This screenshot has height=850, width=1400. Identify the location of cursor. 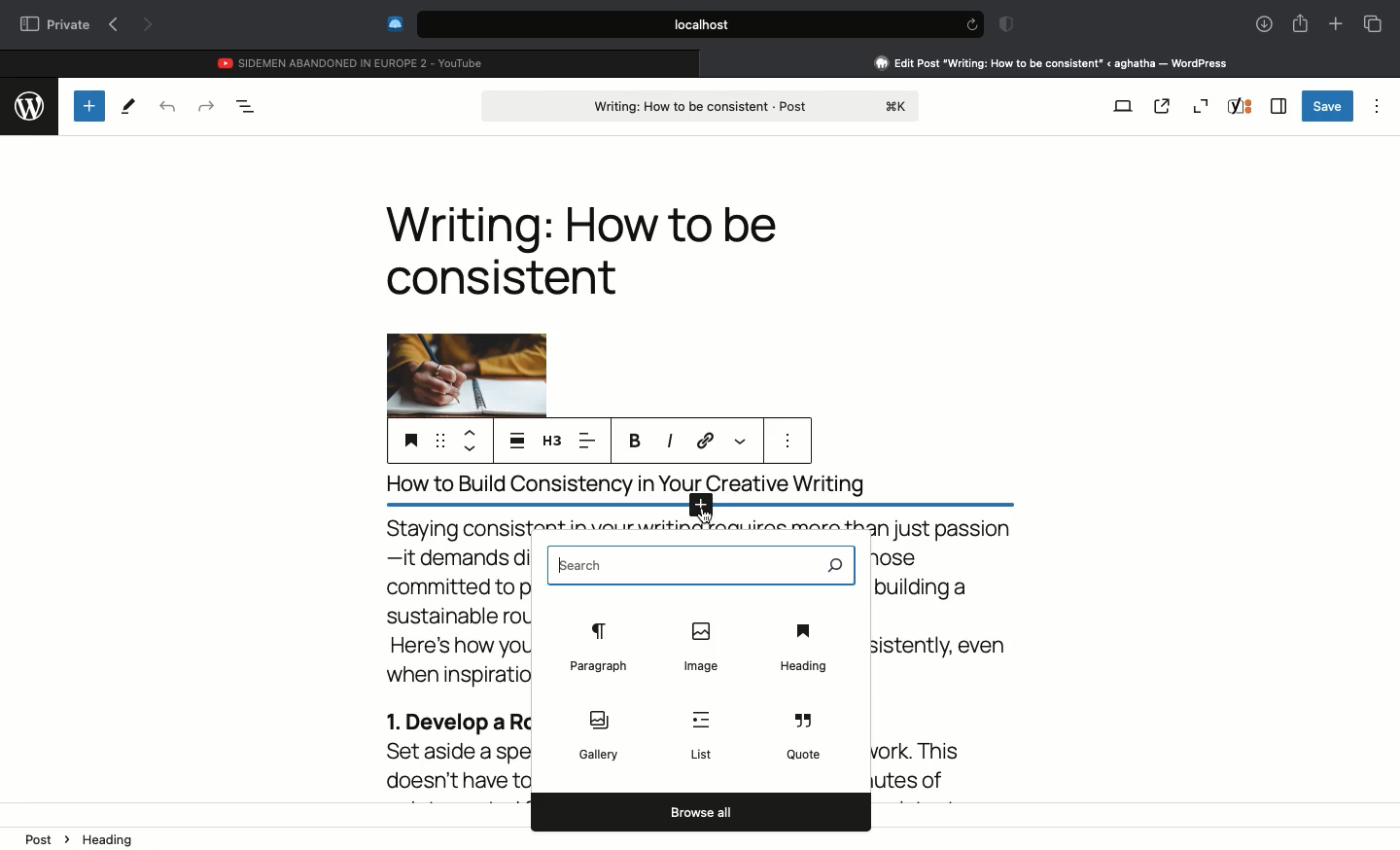
(701, 519).